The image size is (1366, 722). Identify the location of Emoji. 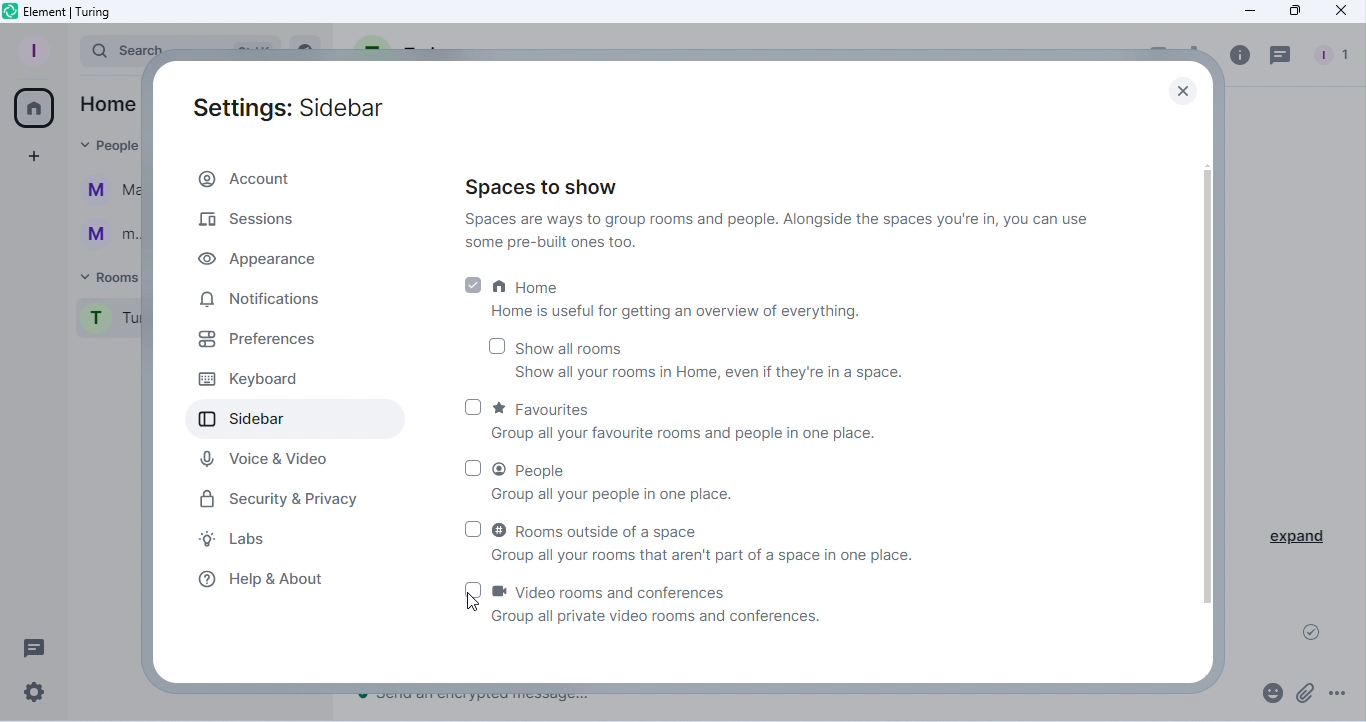
(1270, 691).